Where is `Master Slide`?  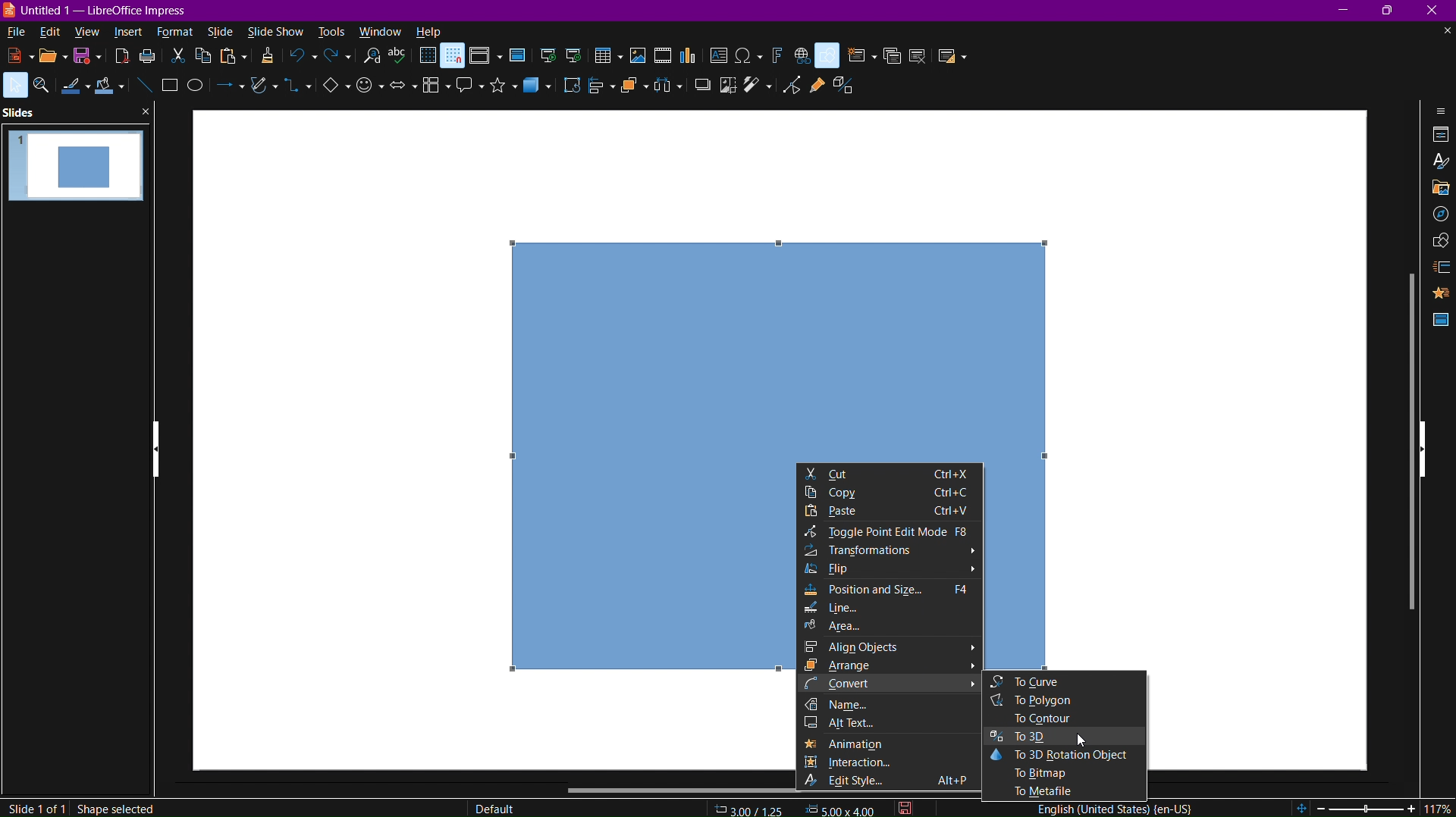 Master Slide is located at coordinates (516, 57).